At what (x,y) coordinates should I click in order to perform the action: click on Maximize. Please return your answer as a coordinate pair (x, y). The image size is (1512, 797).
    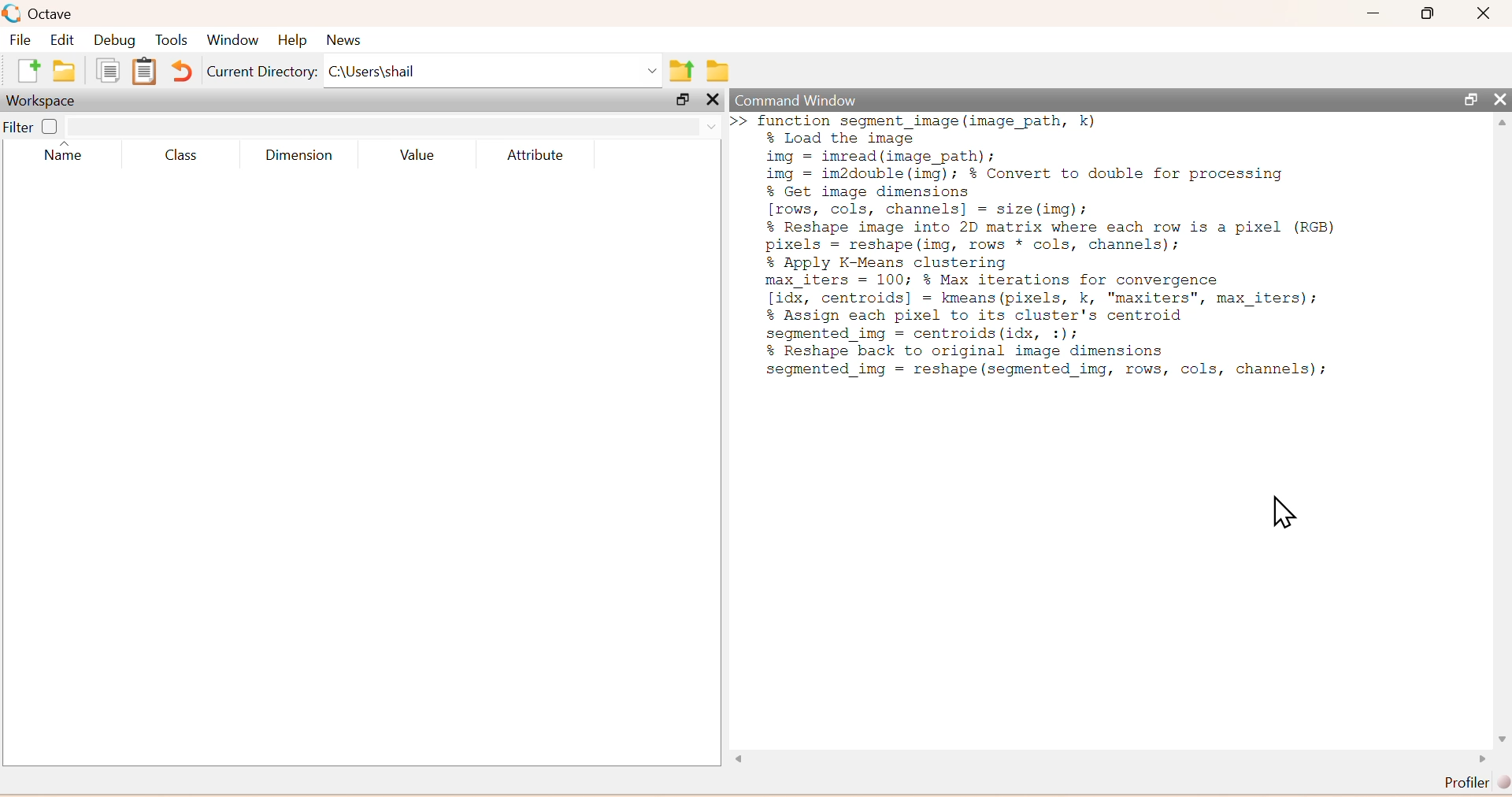
    Looking at the image, I should click on (1468, 99).